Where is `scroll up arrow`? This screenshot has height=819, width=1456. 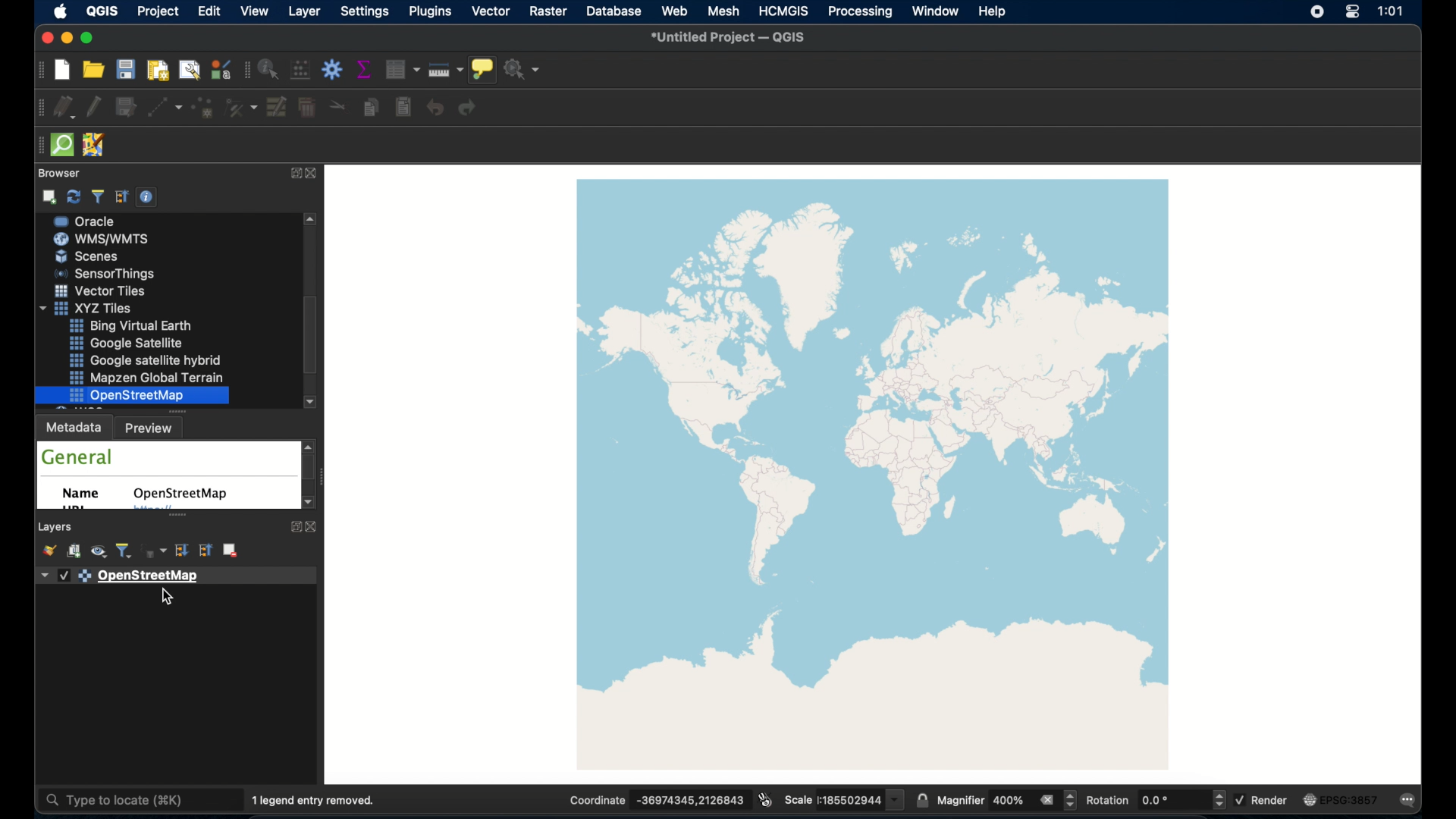
scroll up arrow is located at coordinates (310, 445).